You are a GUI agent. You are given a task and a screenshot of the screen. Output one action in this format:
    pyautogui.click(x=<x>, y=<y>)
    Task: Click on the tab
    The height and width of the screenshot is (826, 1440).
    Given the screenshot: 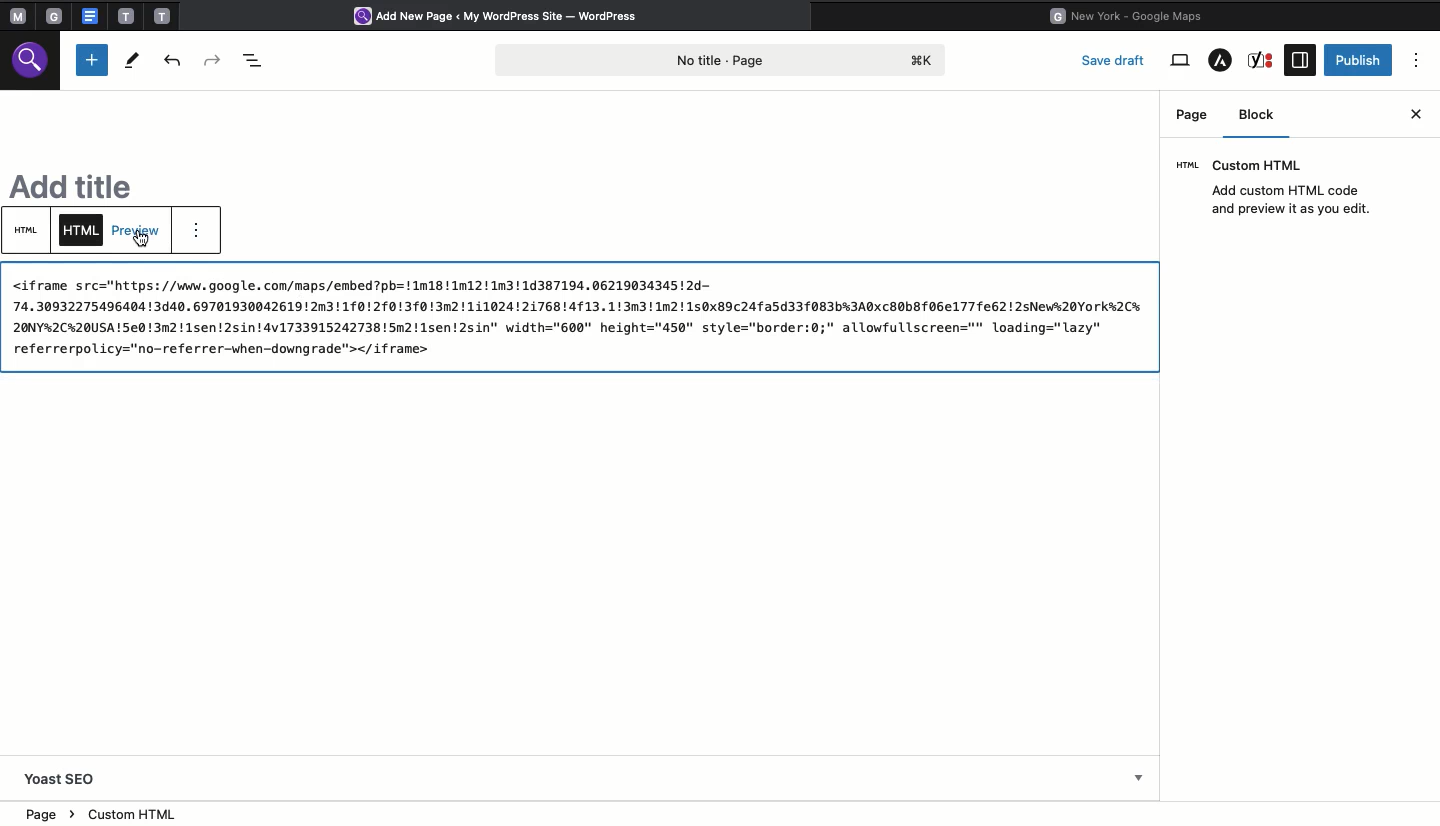 What is the action you would take?
    pyautogui.click(x=57, y=16)
    